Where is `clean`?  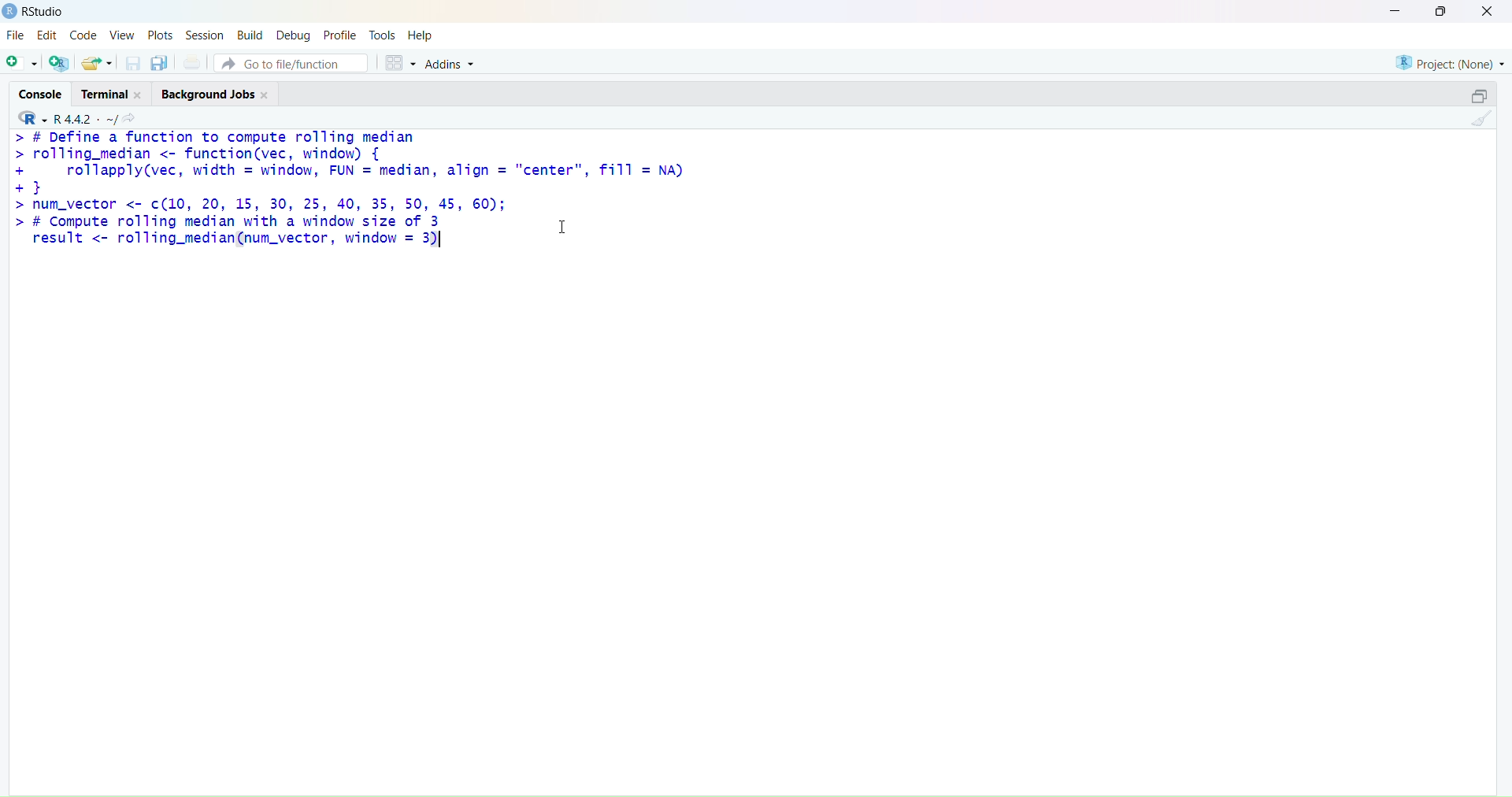
clean is located at coordinates (1481, 118).